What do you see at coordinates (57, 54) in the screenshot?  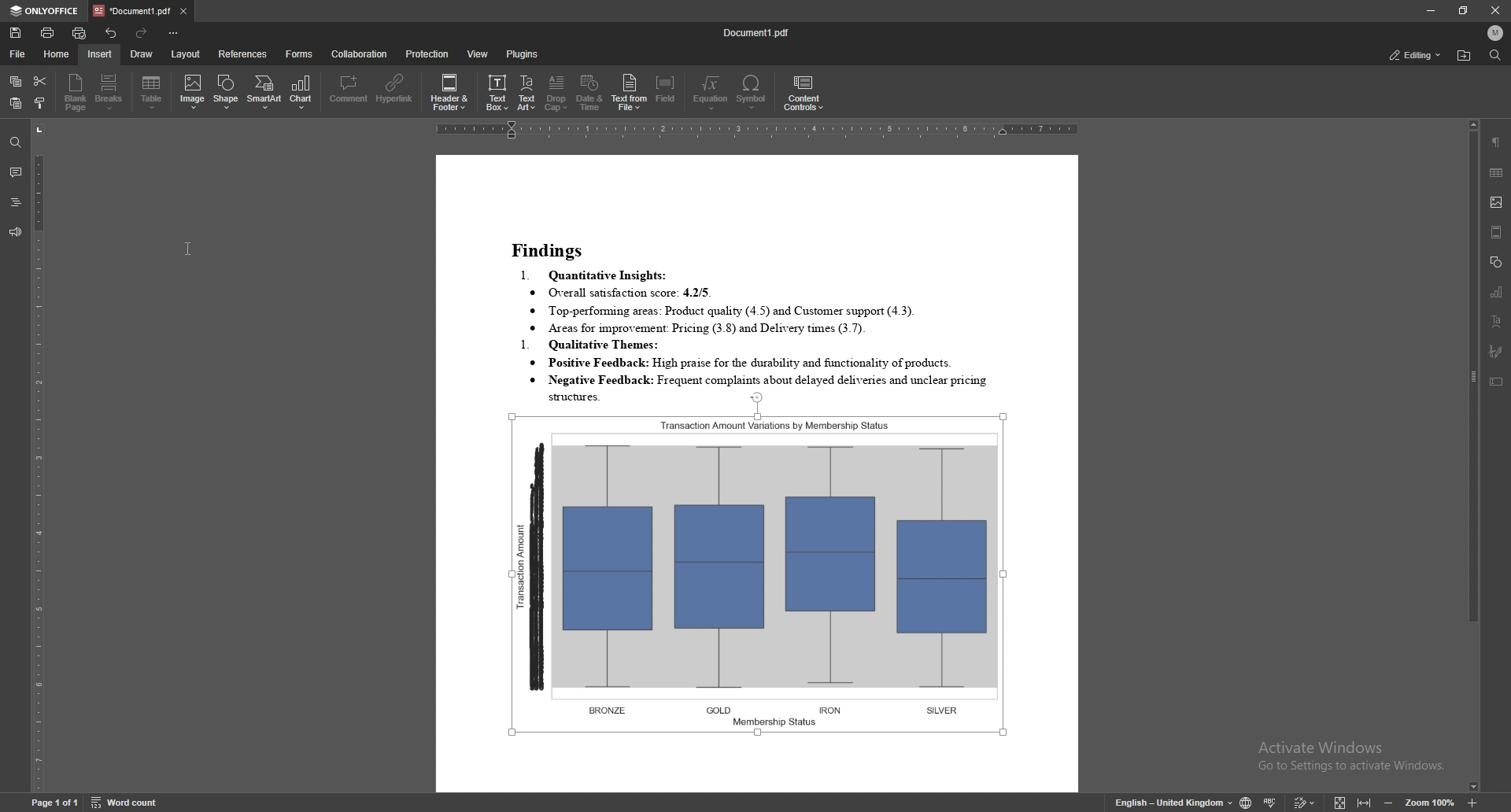 I see `home` at bounding box center [57, 54].